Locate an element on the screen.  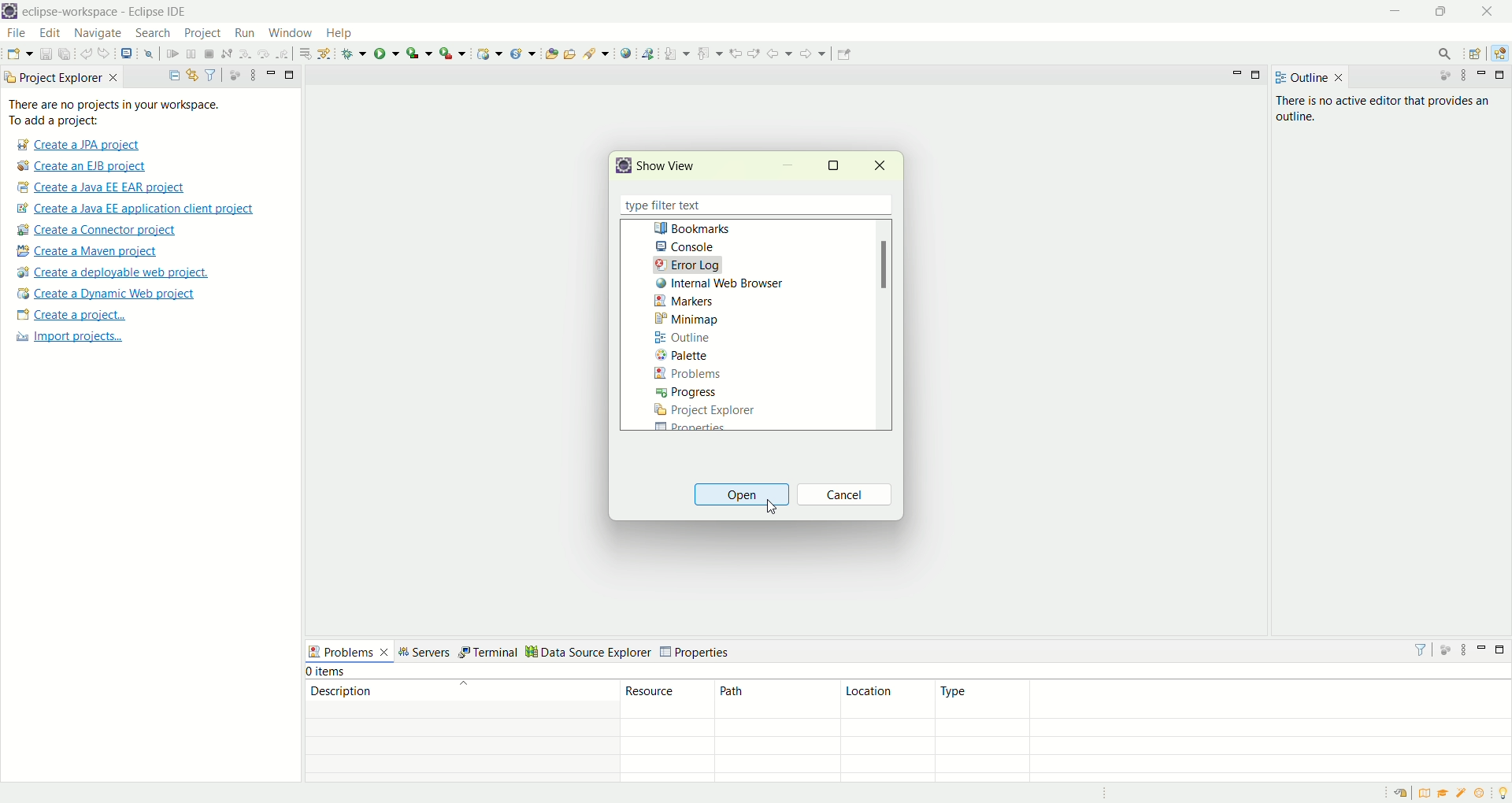
previous edit location is located at coordinates (736, 52).